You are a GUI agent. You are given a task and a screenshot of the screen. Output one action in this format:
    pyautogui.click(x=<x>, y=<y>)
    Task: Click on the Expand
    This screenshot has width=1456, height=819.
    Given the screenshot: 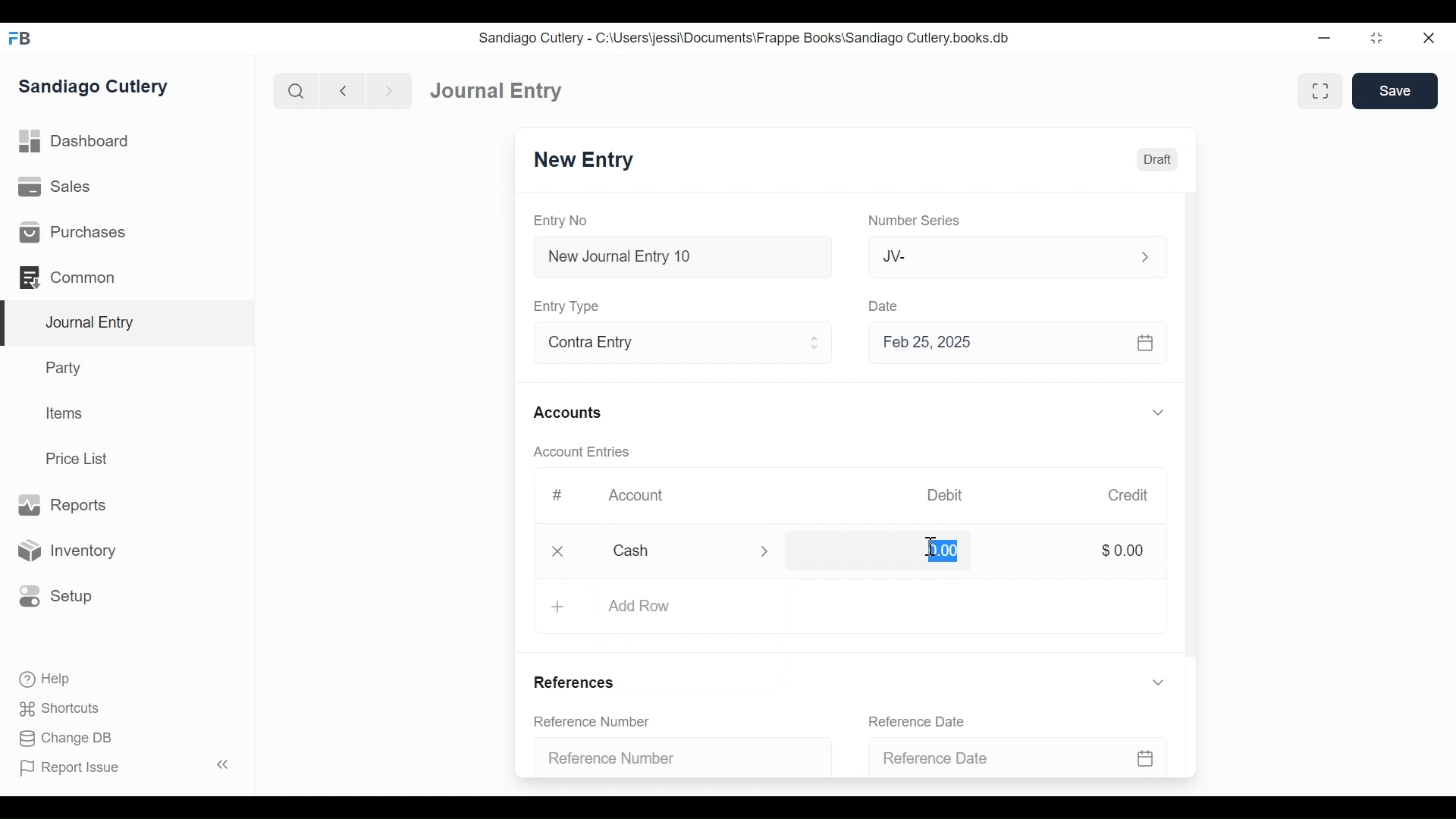 What is the action you would take?
    pyautogui.click(x=816, y=345)
    